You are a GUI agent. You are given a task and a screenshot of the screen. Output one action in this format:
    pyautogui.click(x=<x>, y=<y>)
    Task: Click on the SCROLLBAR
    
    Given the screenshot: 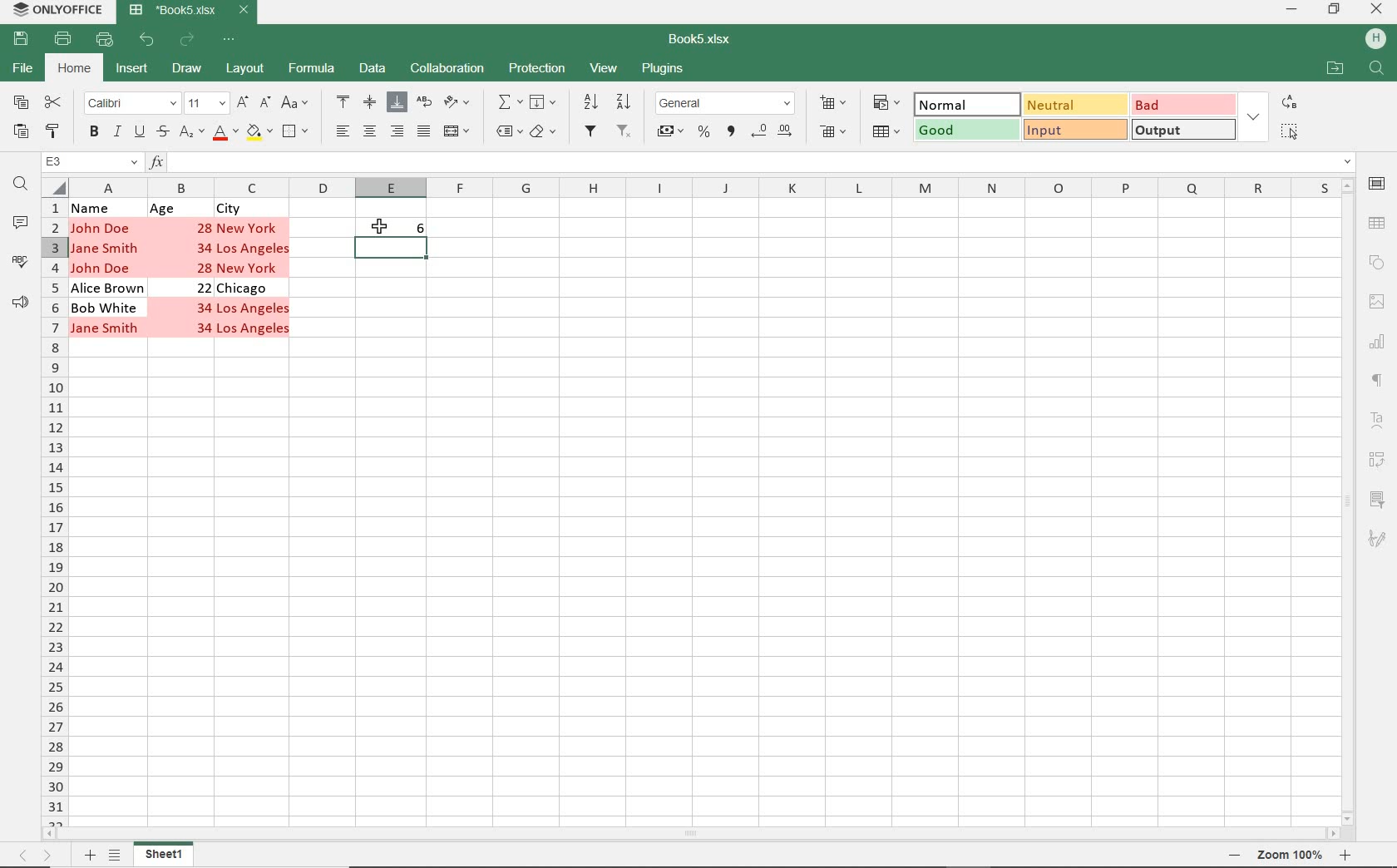 What is the action you would take?
    pyautogui.click(x=689, y=834)
    